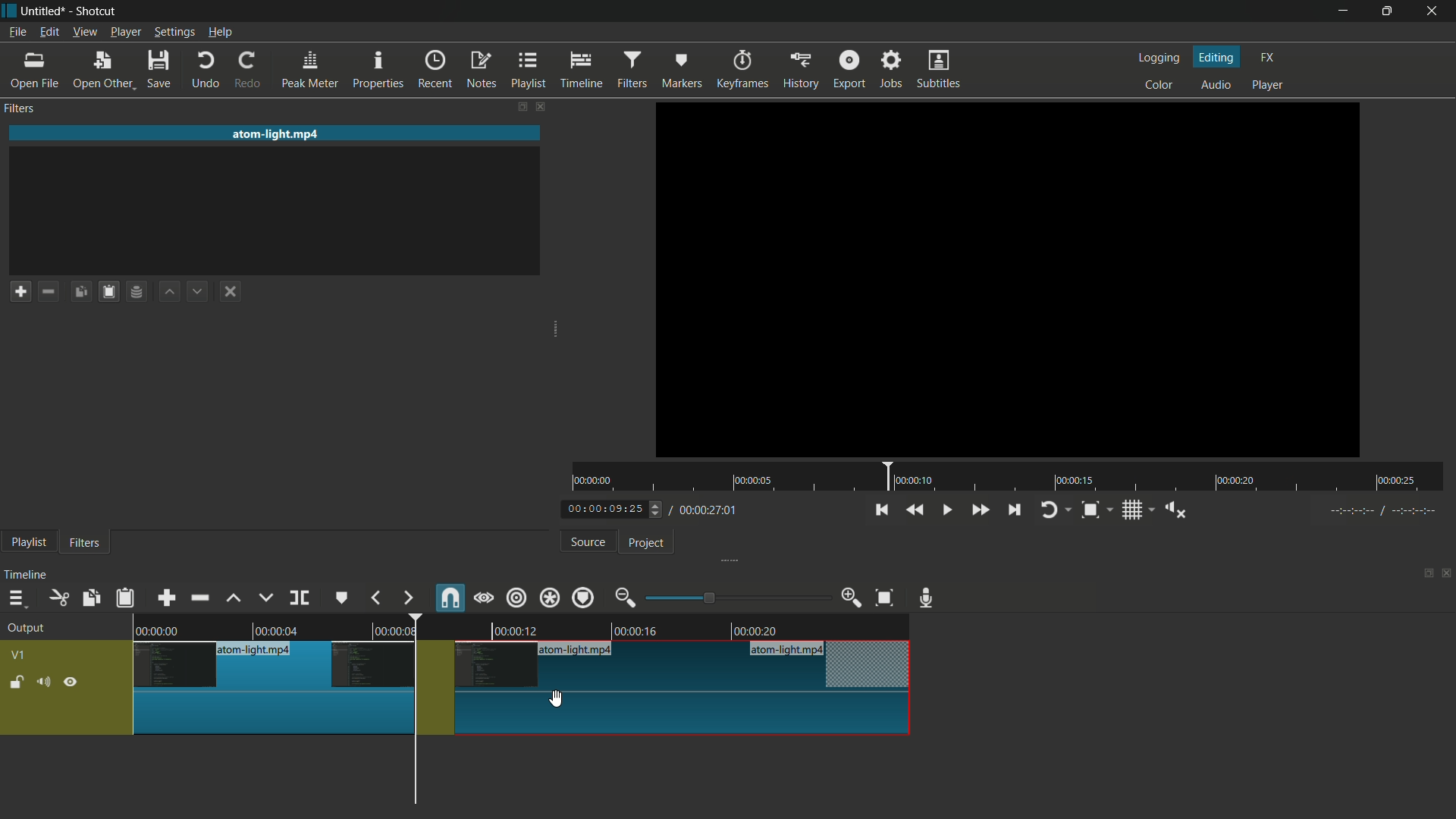 The height and width of the screenshot is (819, 1456). Describe the element at coordinates (160, 69) in the screenshot. I see `save` at that location.